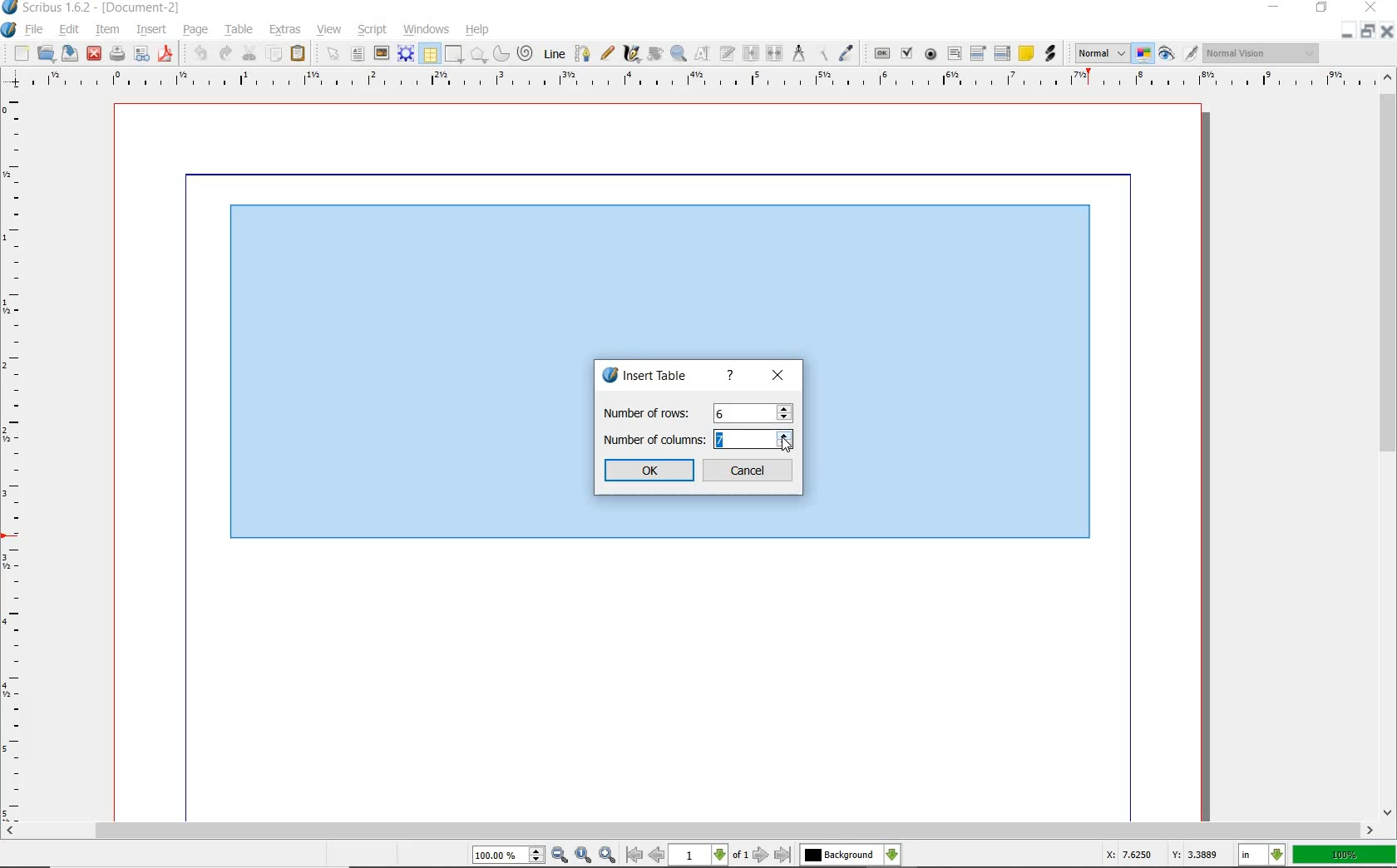 The image size is (1397, 868). I want to click on select the image preview mode, so click(1098, 53).